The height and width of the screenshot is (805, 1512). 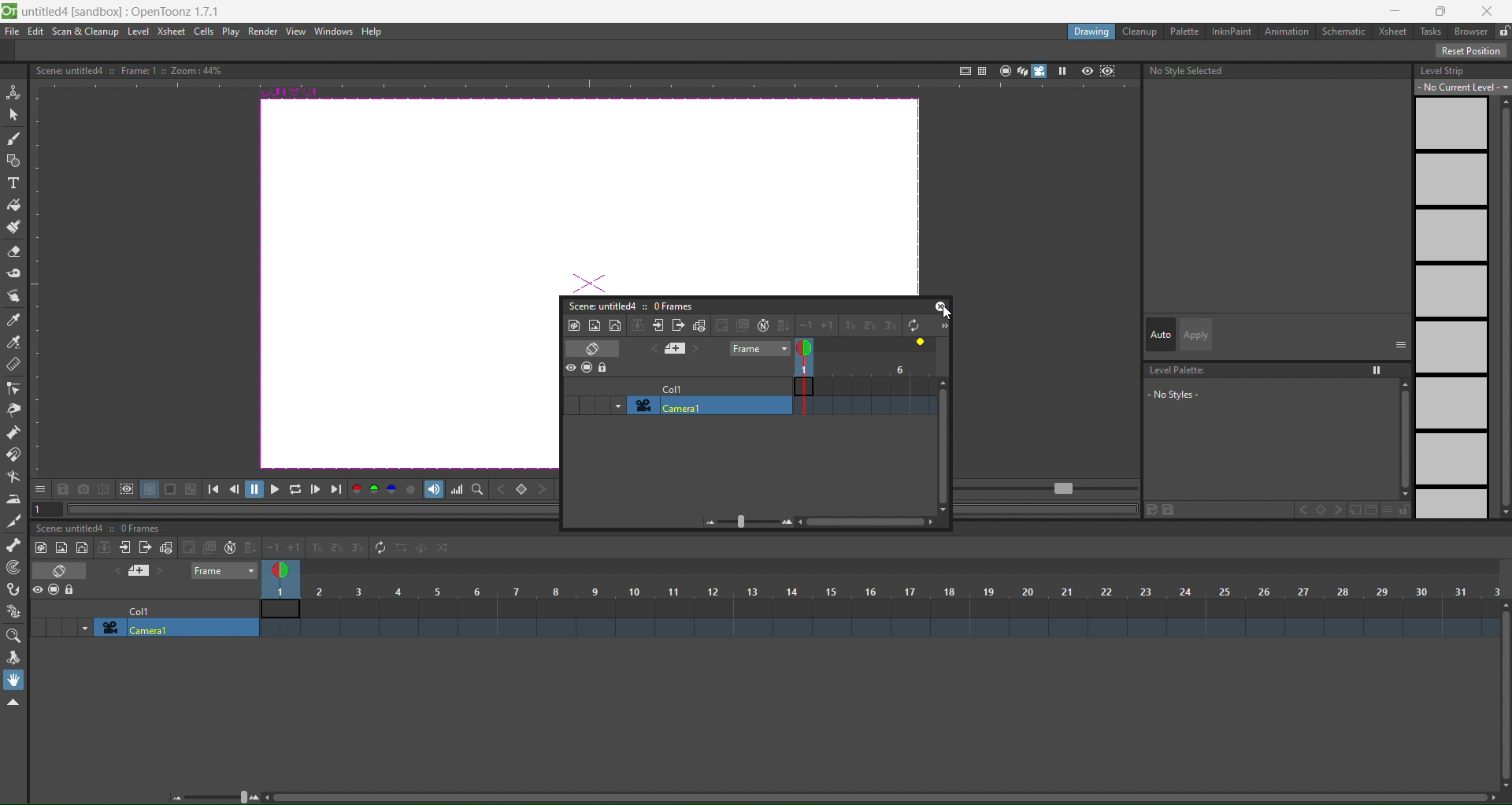 What do you see at coordinates (723, 325) in the screenshot?
I see `` at bounding box center [723, 325].